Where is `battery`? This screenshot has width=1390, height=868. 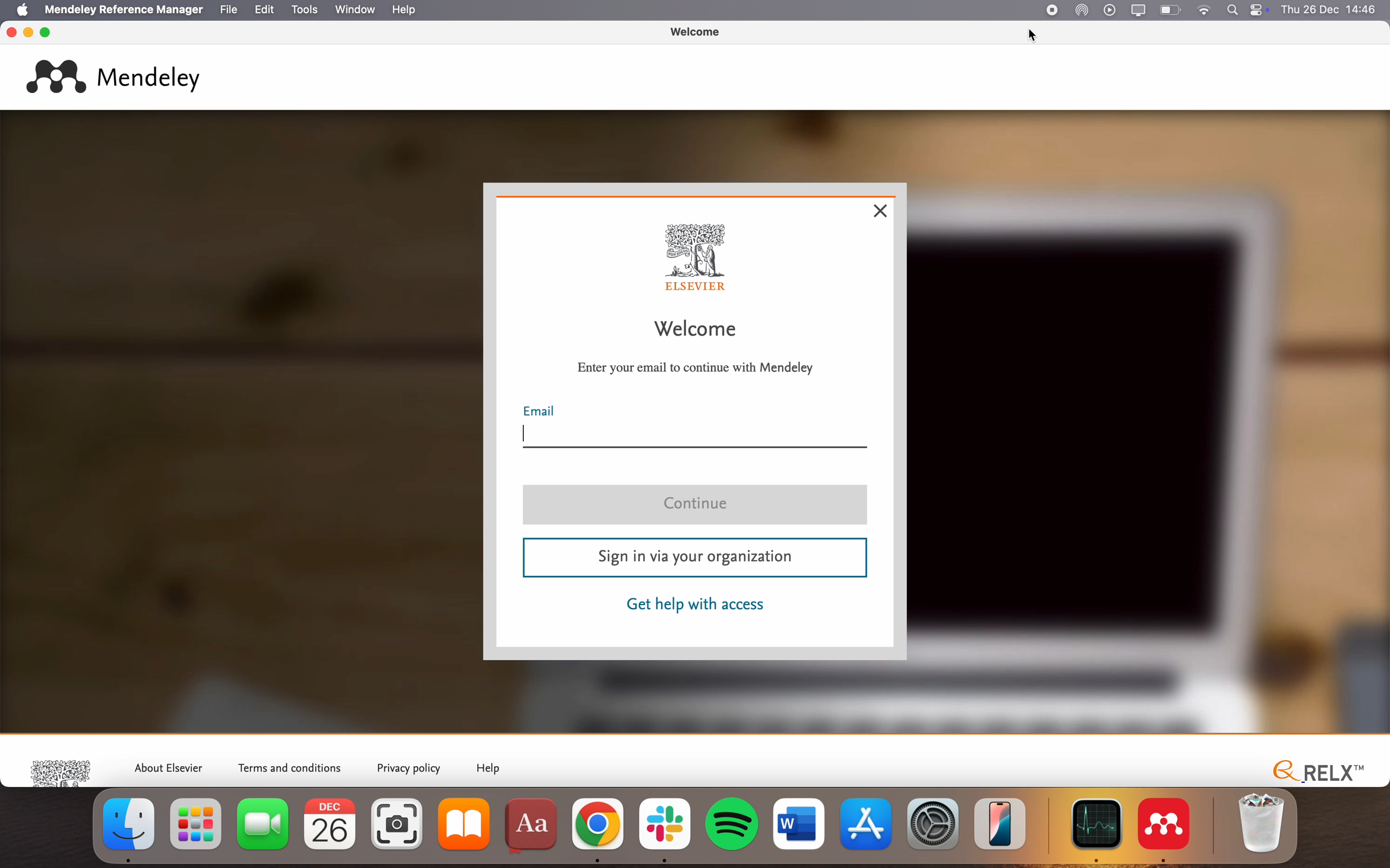 battery is located at coordinates (1171, 10).